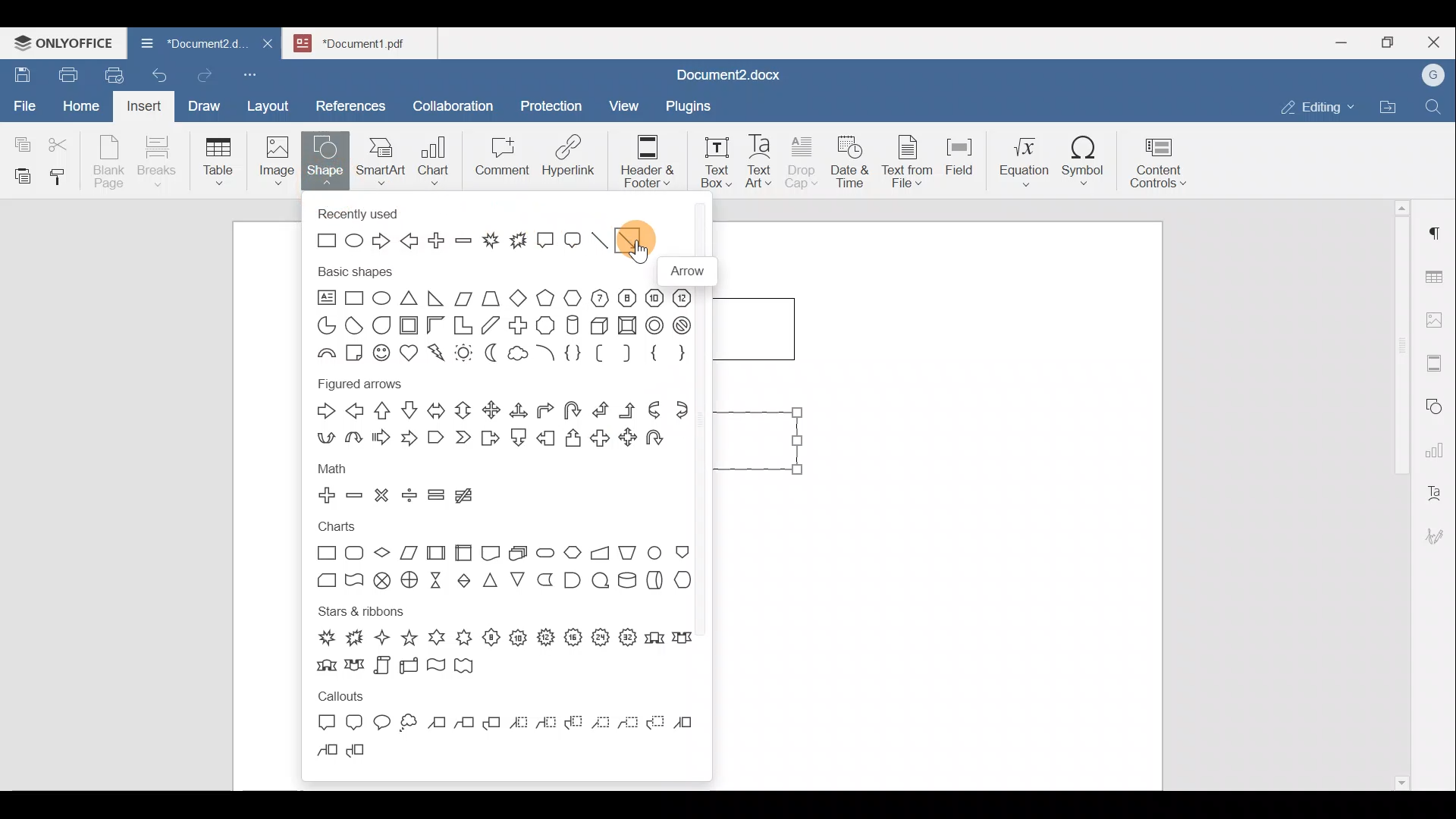 The height and width of the screenshot is (819, 1456). What do you see at coordinates (1439, 531) in the screenshot?
I see `Signature settings` at bounding box center [1439, 531].